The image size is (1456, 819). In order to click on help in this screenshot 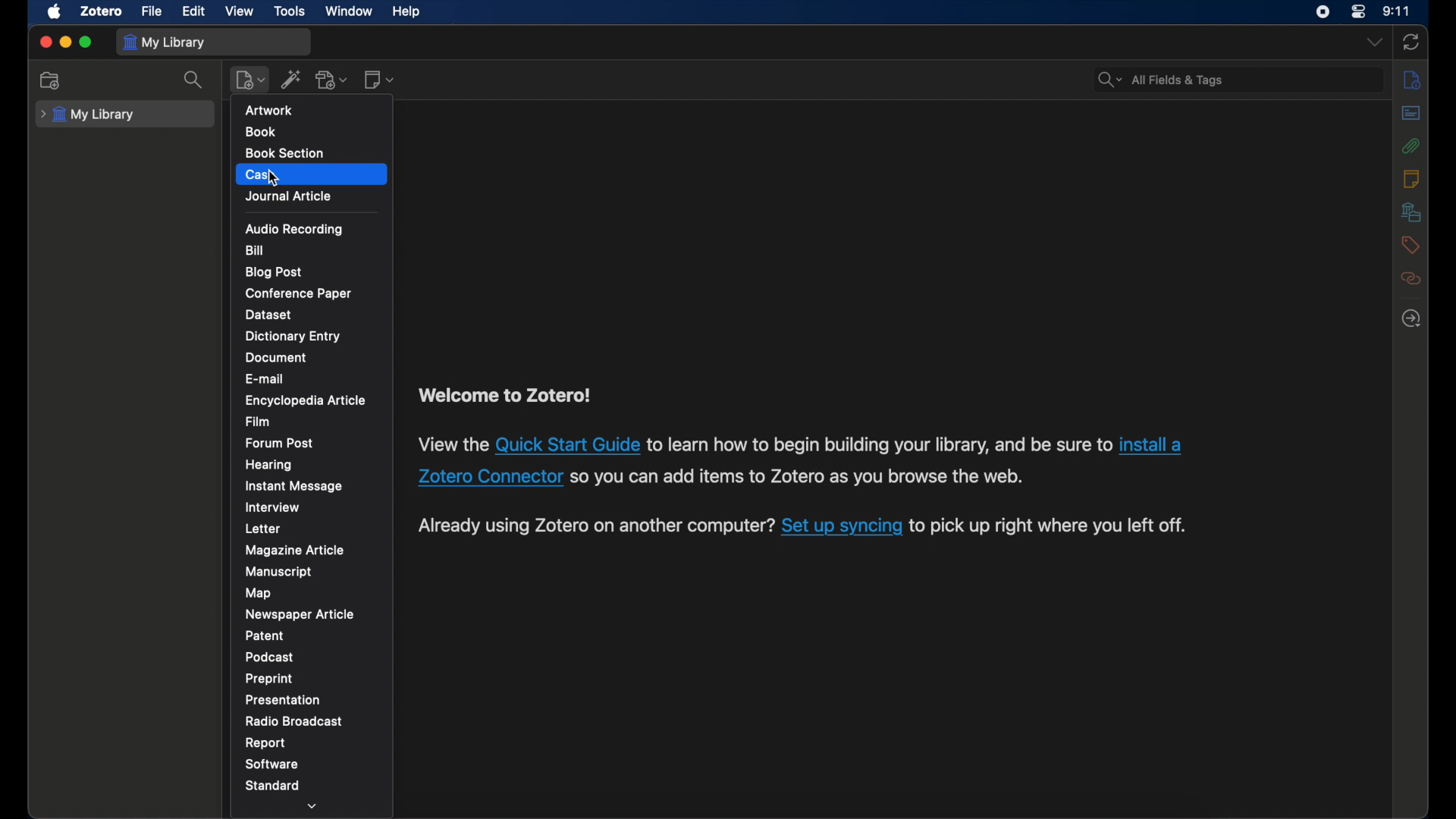, I will do `click(408, 11)`.